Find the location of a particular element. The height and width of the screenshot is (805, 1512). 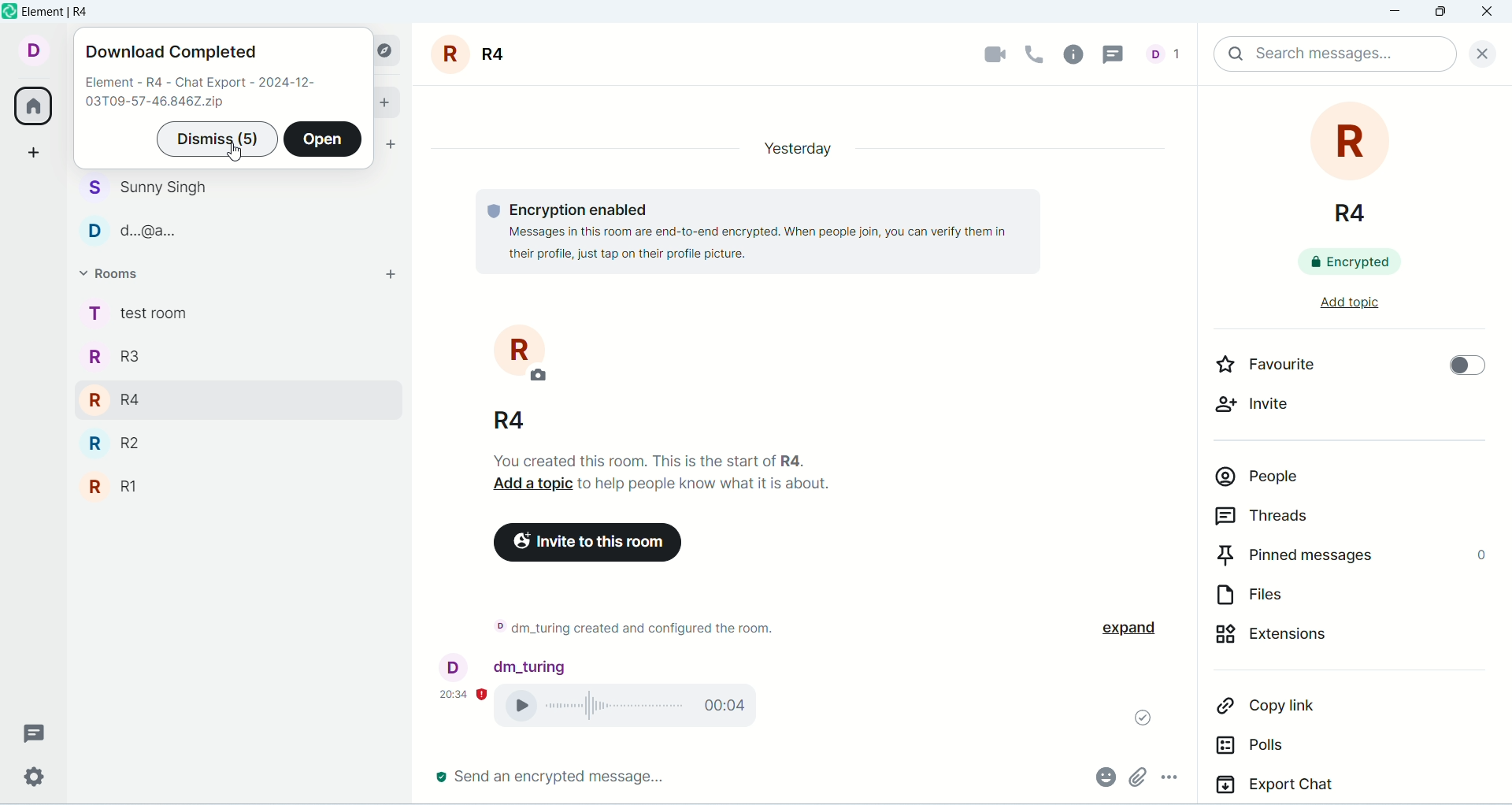

add is located at coordinates (384, 278).